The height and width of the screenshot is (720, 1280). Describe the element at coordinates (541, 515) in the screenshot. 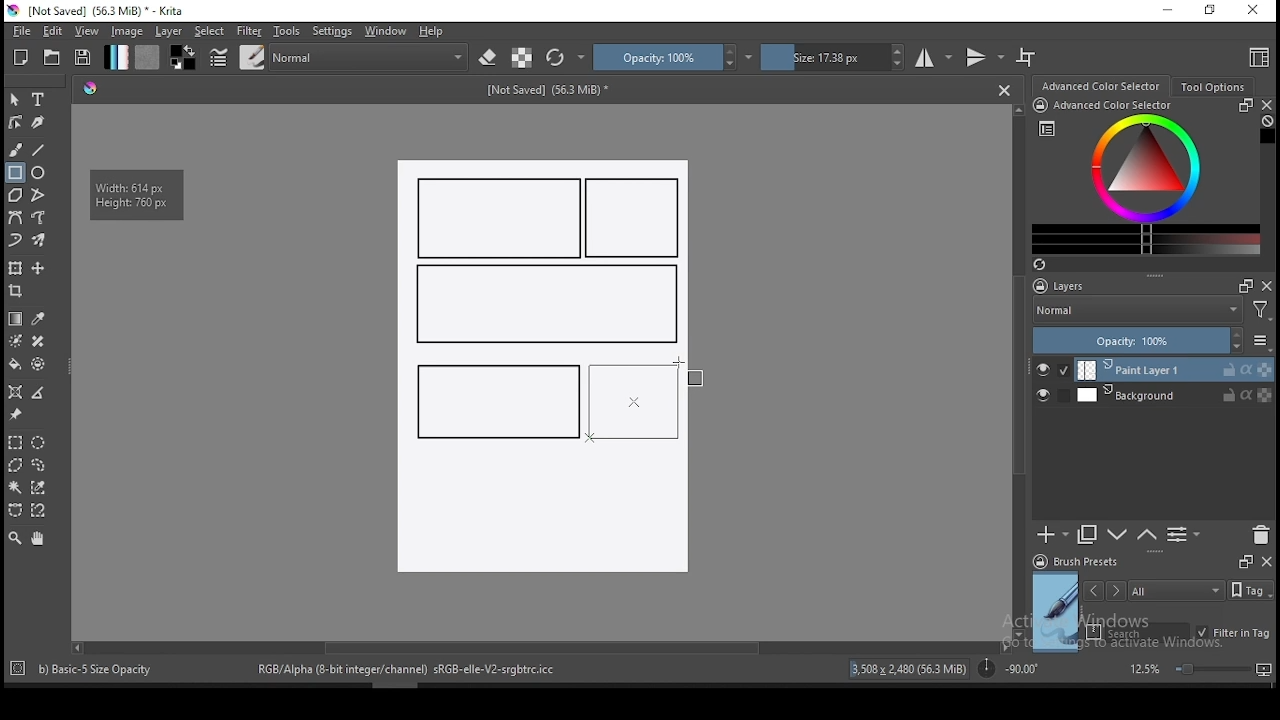

I see `Image` at that location.